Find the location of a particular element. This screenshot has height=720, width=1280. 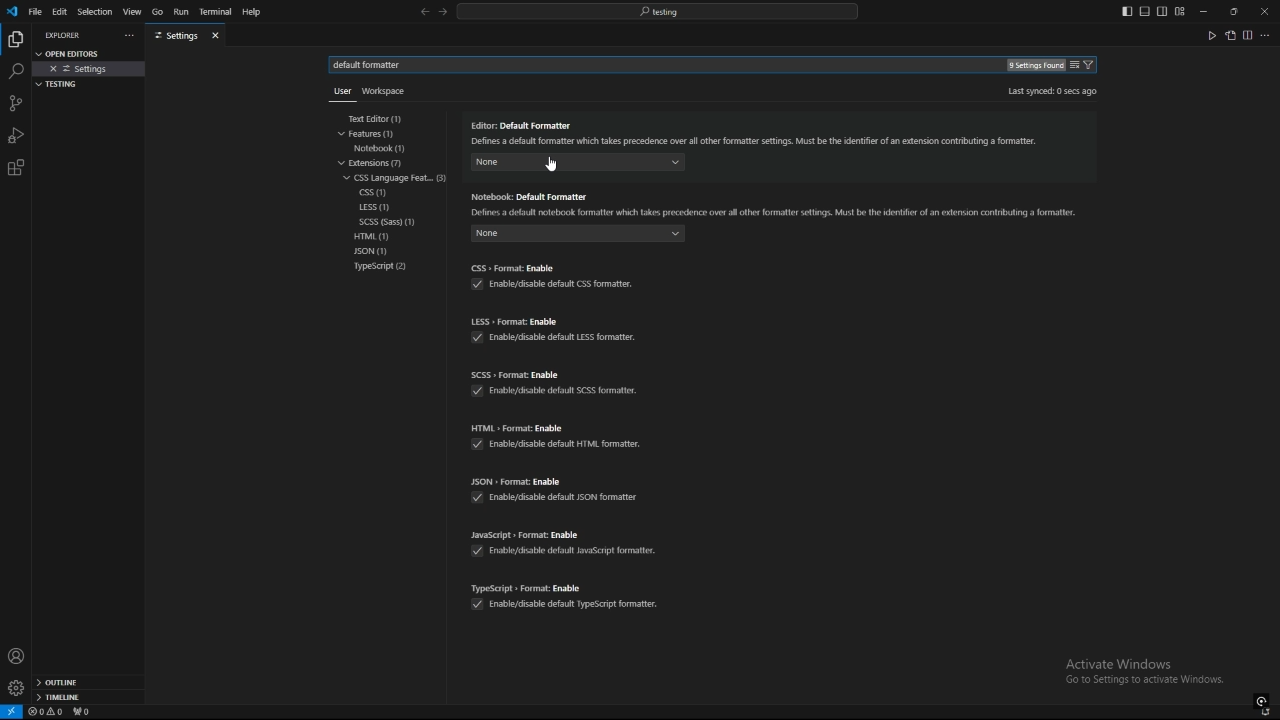

search bar is located at coordinates (657, 11).